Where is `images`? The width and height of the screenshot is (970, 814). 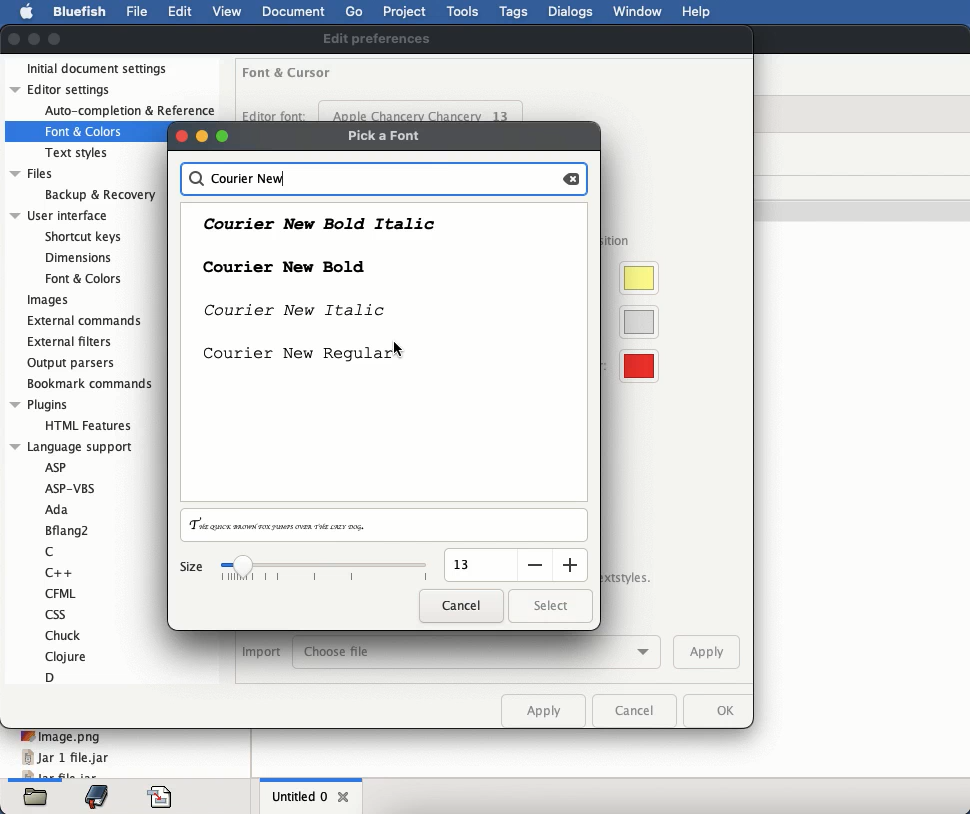 images is located at coordinates (51, 301).